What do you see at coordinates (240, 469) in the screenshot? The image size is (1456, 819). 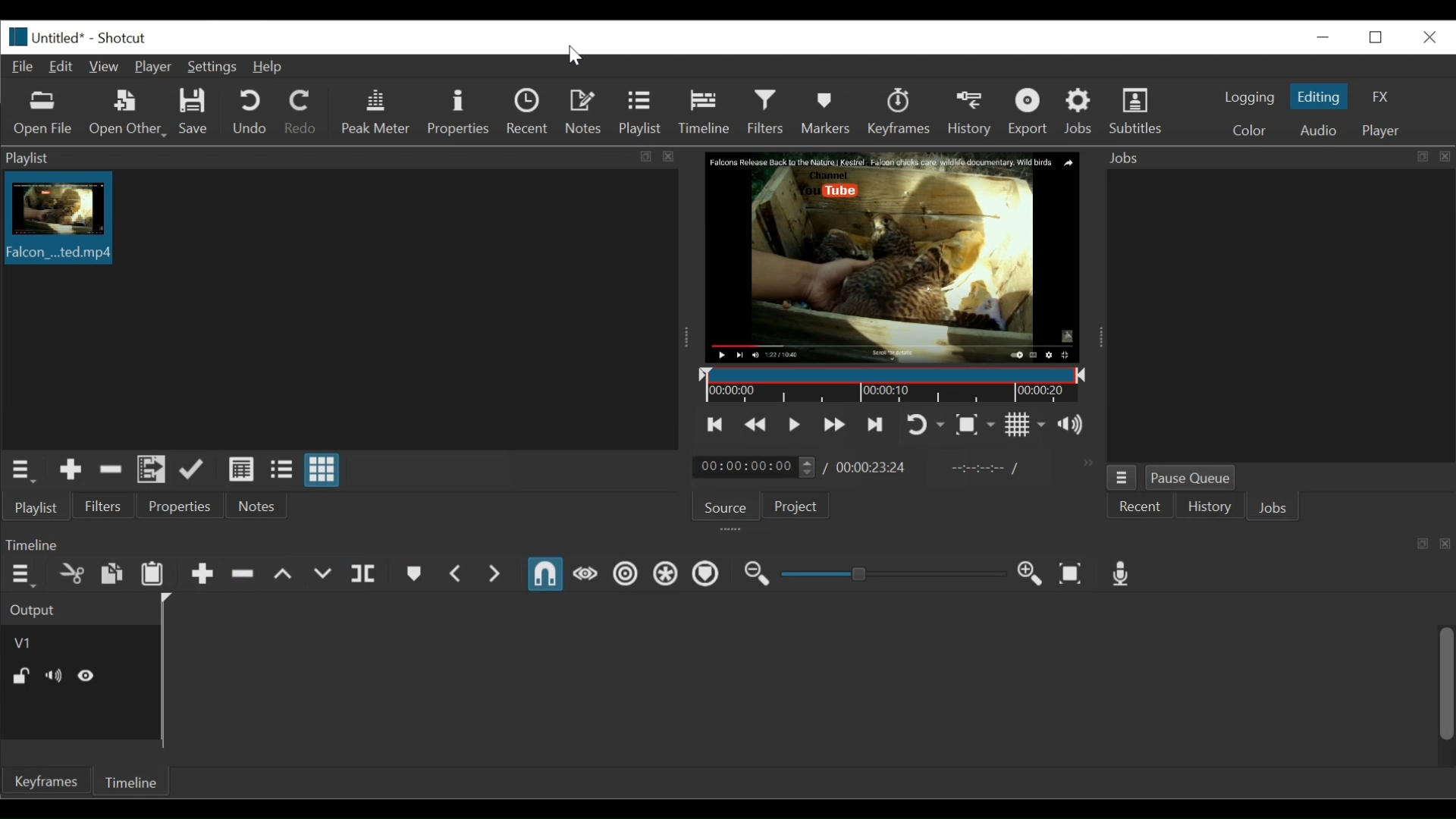 I see `View as details` at bounding box center [240, 469].